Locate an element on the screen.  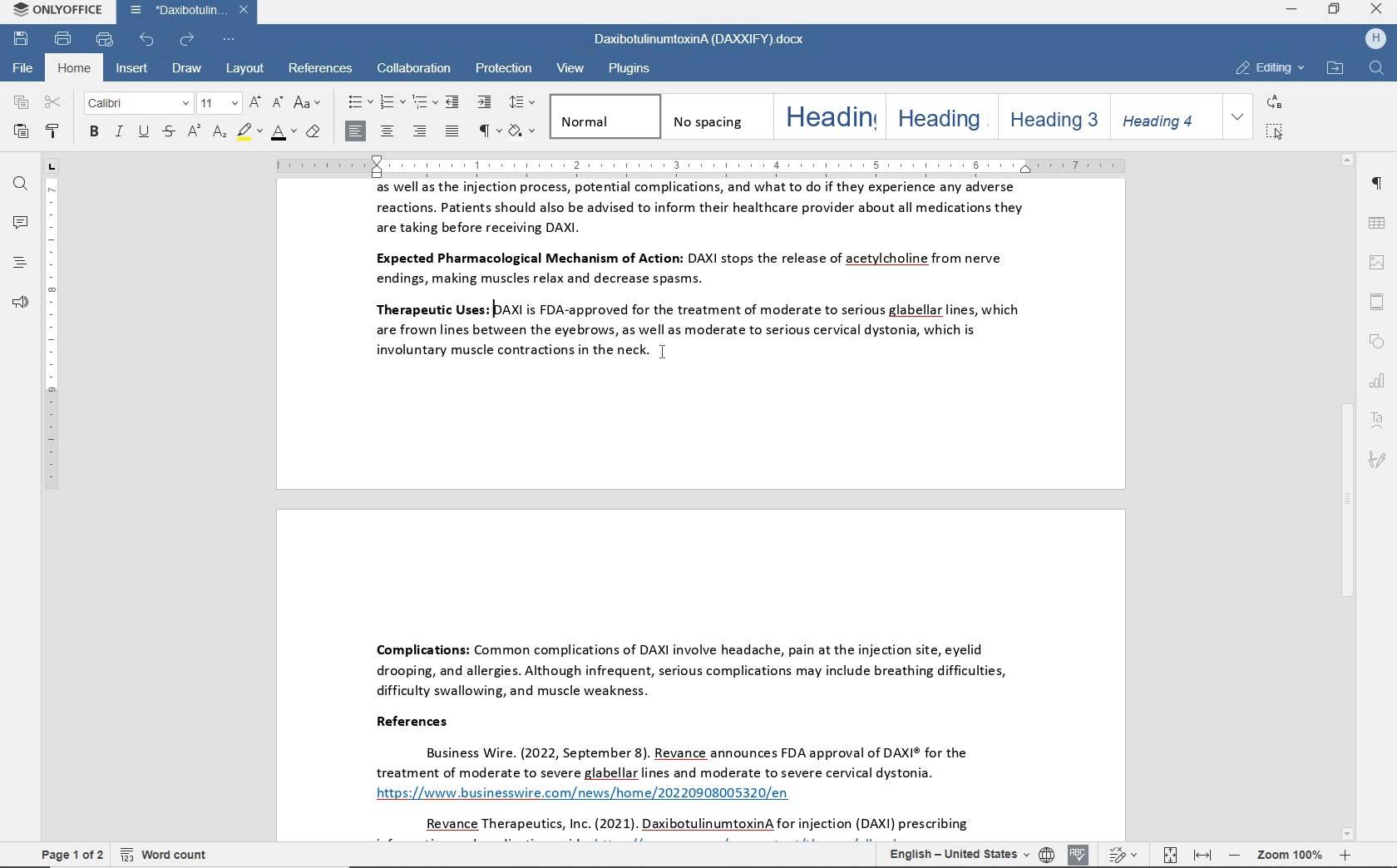
draw is located at coordinates (189, 71).